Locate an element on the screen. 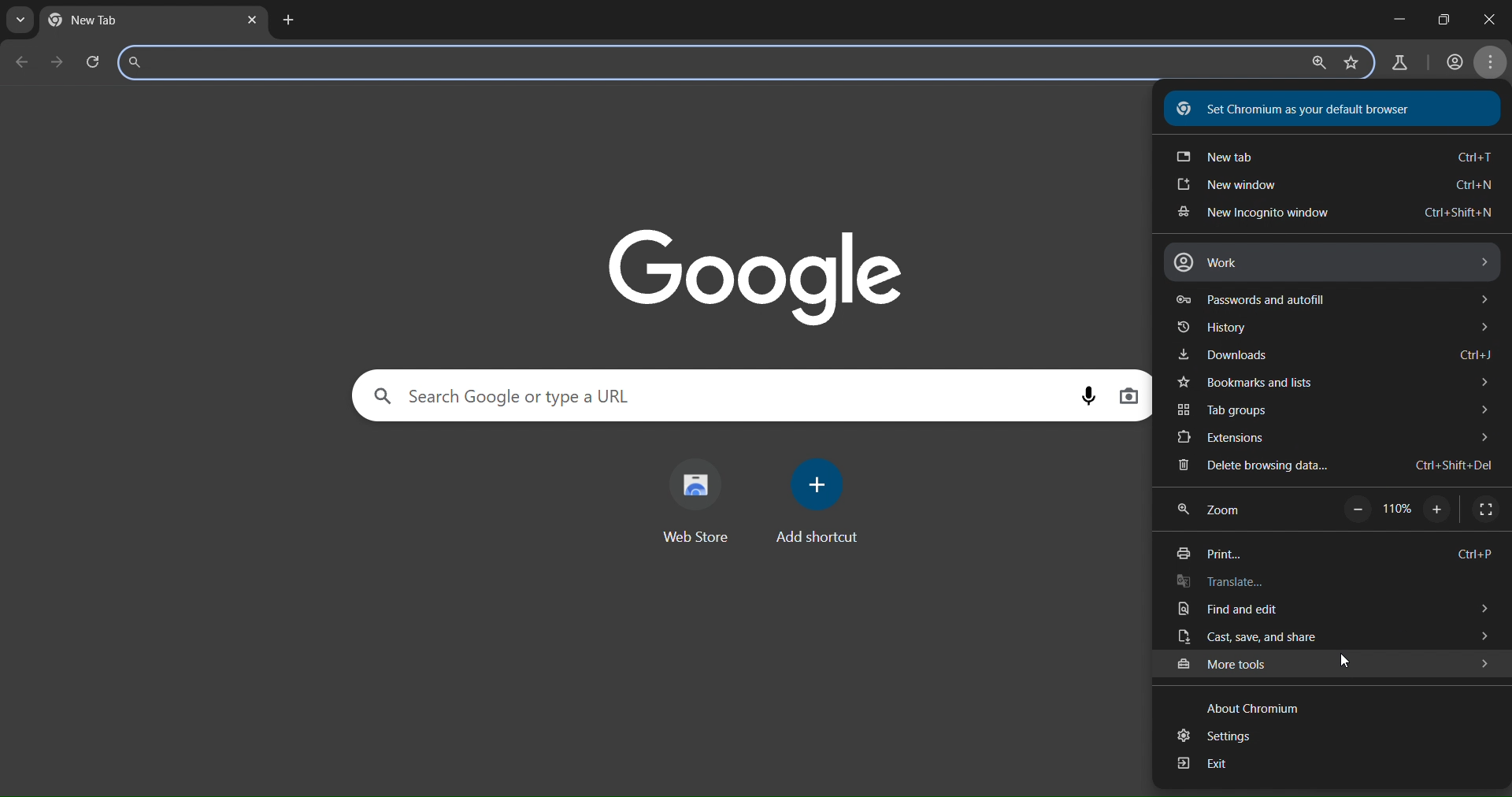 This screenshot has width=1512, height=797. about chromium is located at coordinates (1247, 706).